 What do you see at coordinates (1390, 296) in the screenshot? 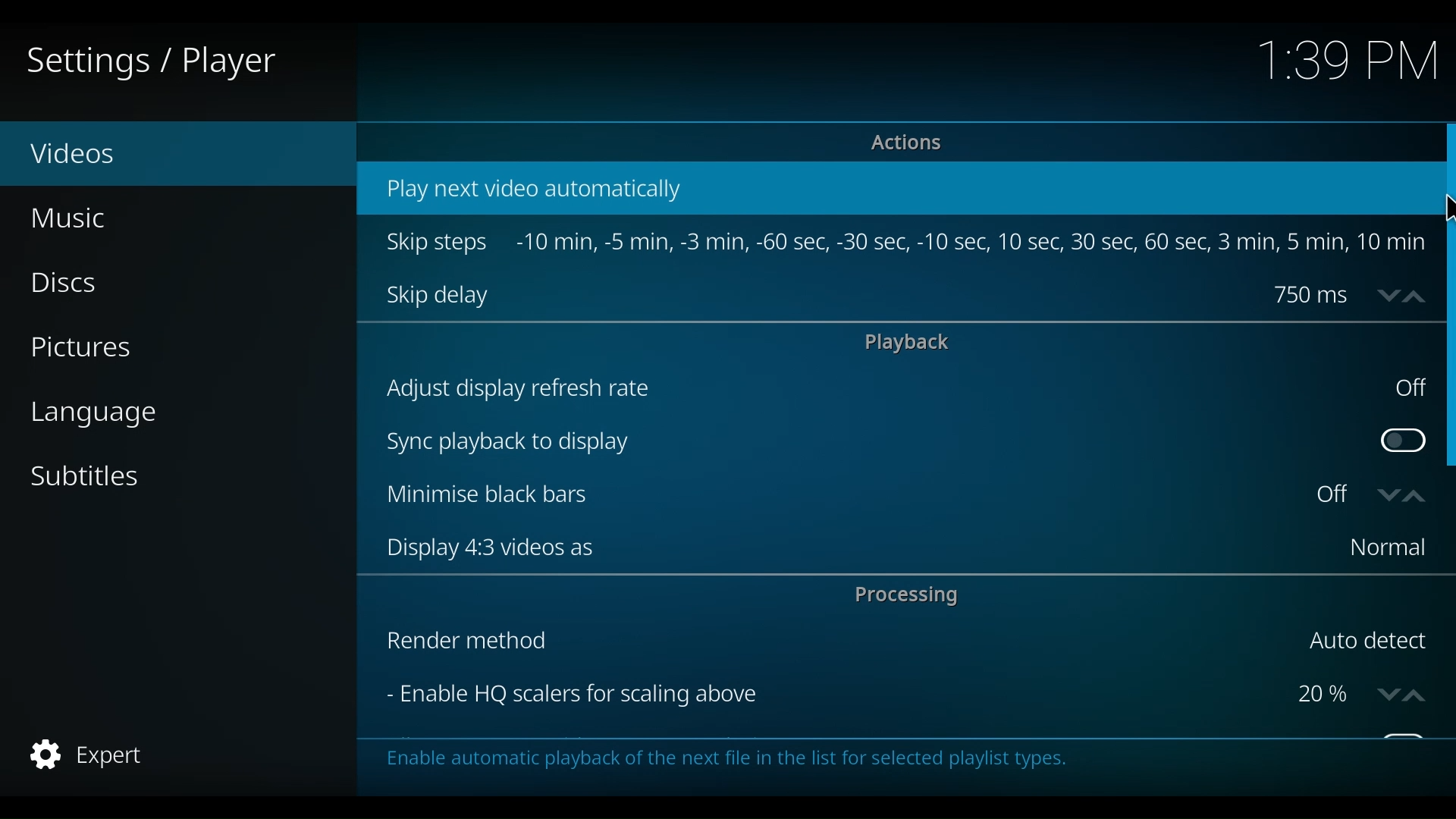
I see `down` at bounding box center [1390, 296].